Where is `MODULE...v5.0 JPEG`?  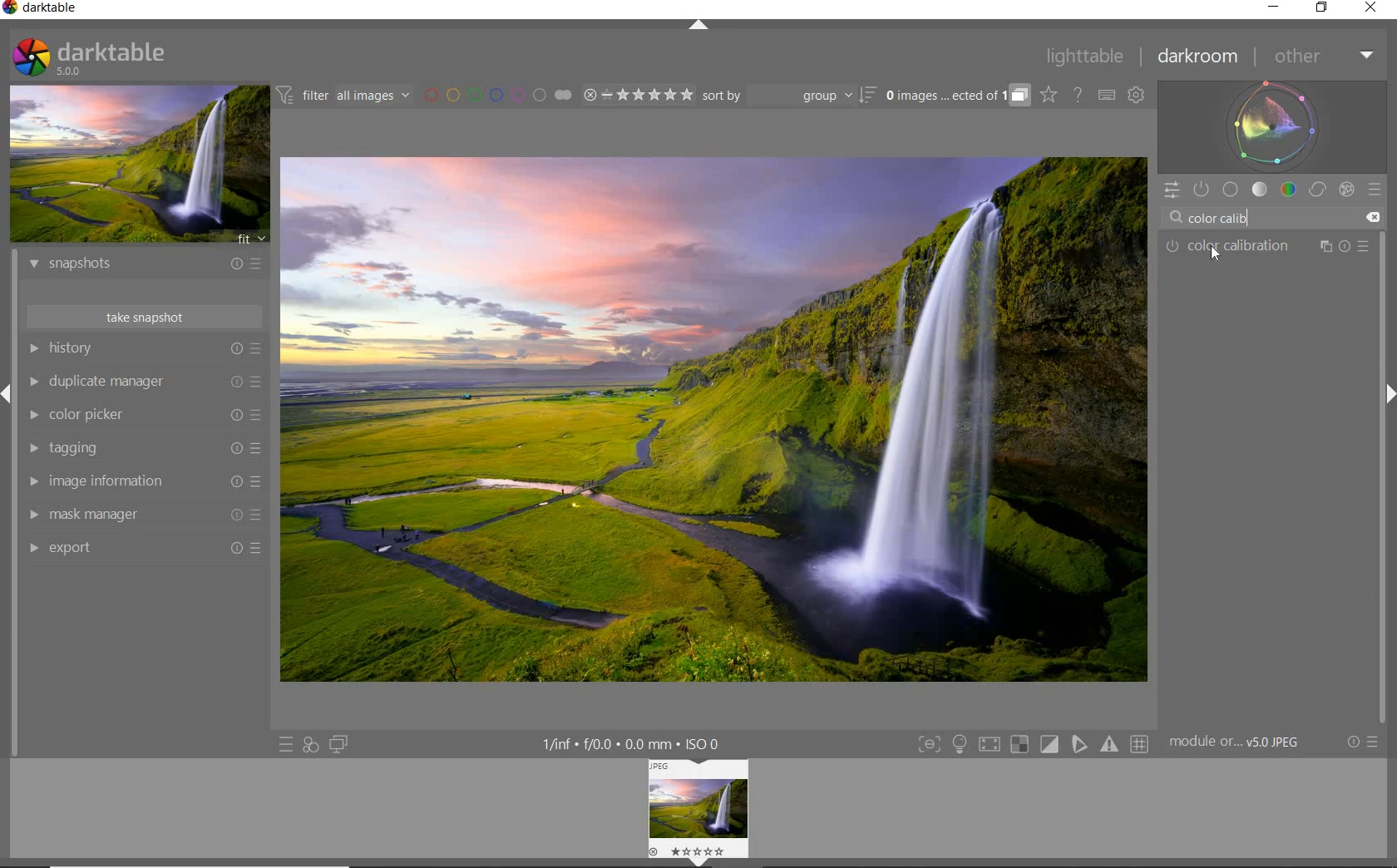 MODULE...v5.0 JPEG is located at coordinates (1239, 743).